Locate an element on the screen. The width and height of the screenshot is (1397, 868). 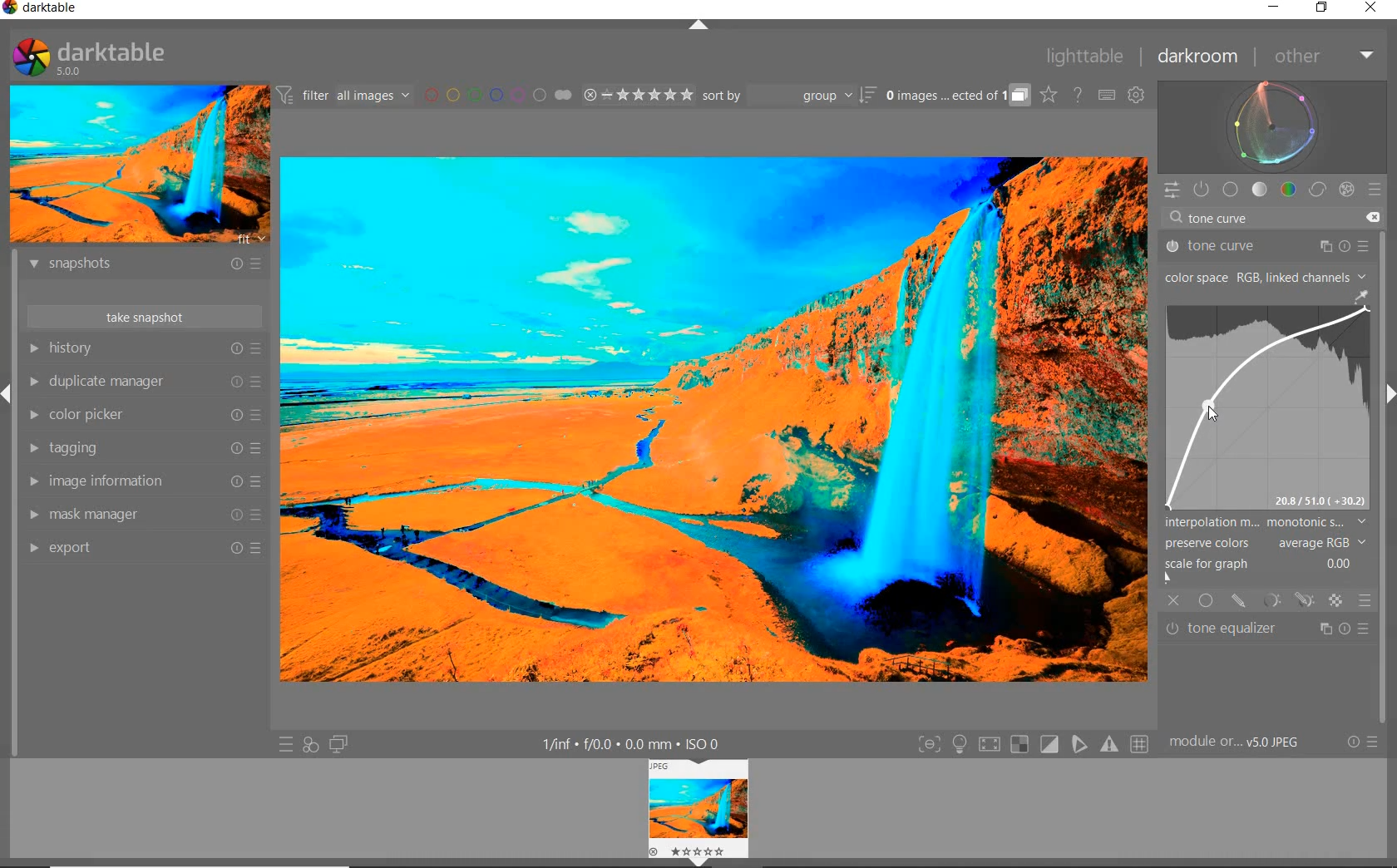
Expand/Collapse is located at coordinates (699, 862).